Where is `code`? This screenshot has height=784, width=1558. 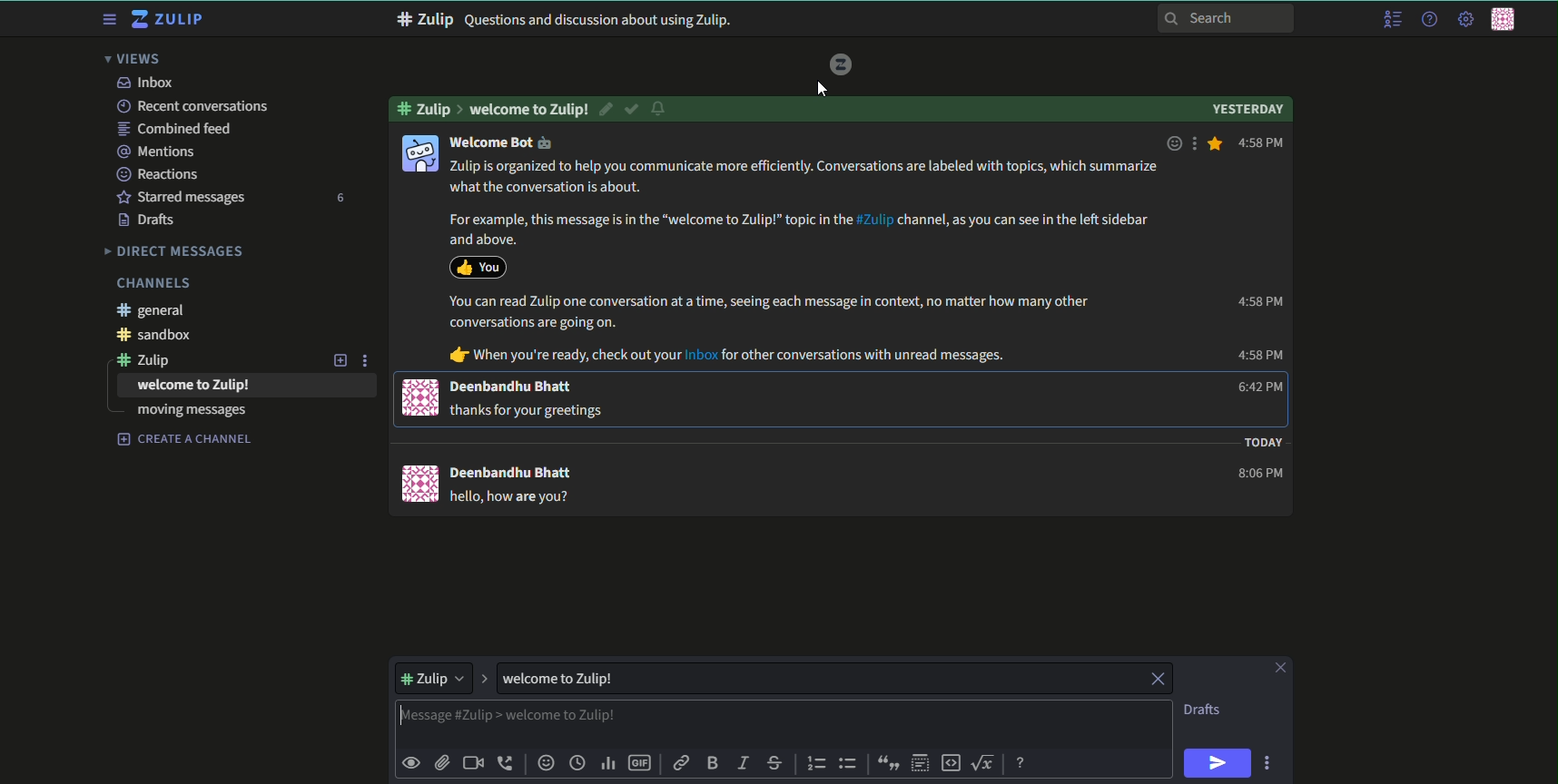 code is located at coordinates (952, 762).